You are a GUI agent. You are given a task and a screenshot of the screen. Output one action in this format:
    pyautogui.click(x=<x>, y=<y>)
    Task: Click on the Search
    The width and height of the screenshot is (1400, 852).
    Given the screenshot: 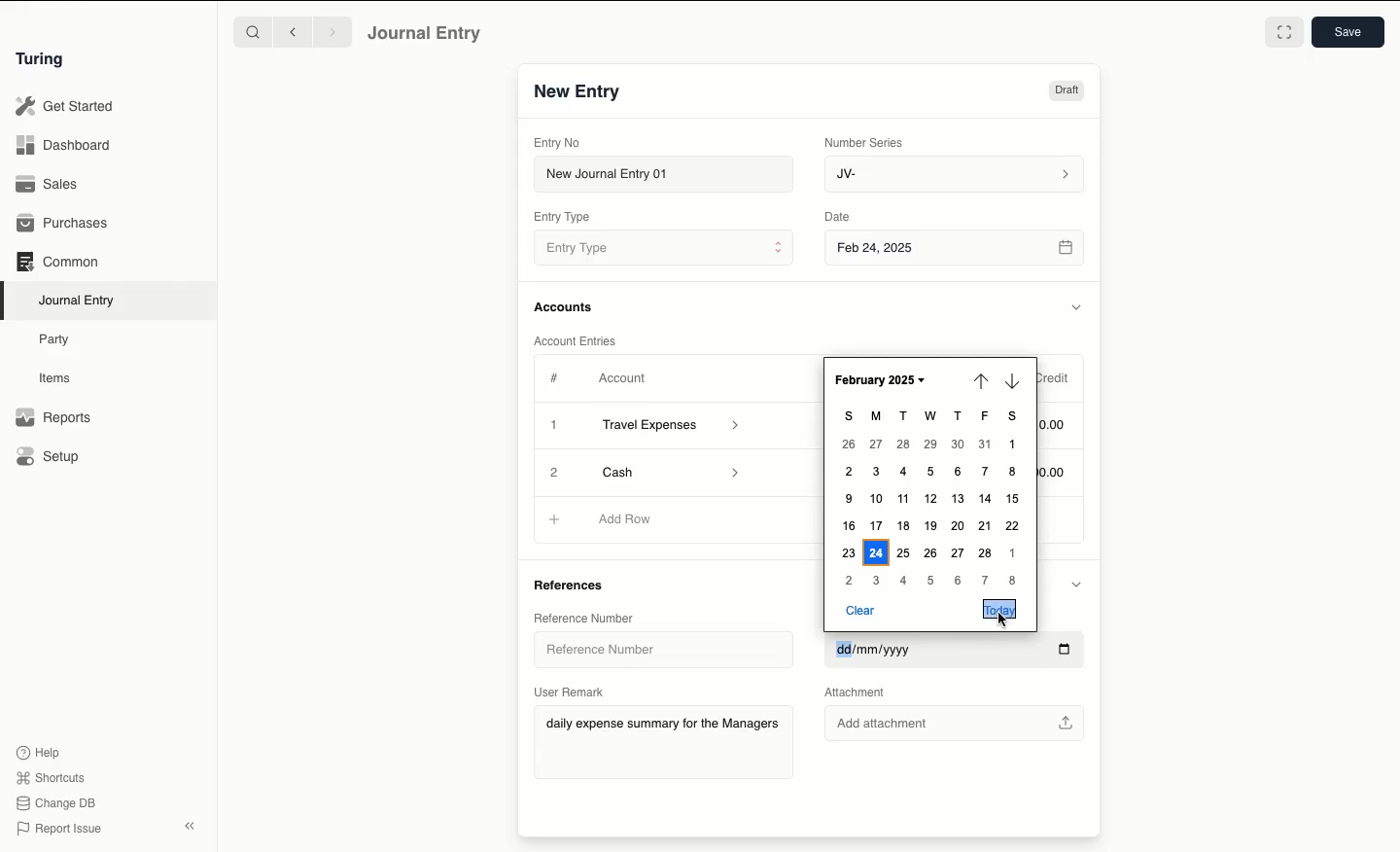 What is the action you would take?
    pyautogui.click(x=252, y=31)
    